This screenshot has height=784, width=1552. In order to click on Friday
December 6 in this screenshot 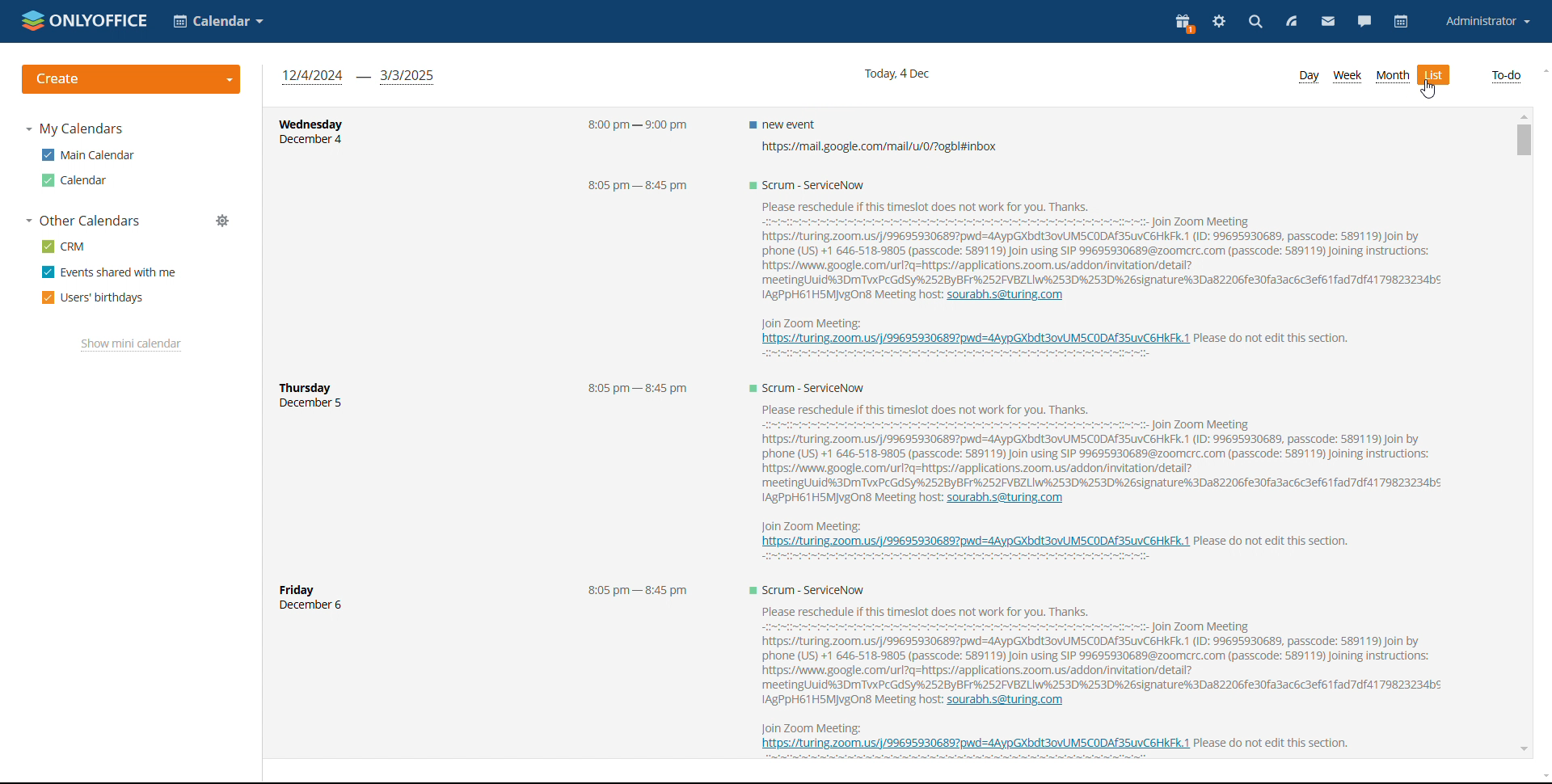, I will do `click(326, 601)`.